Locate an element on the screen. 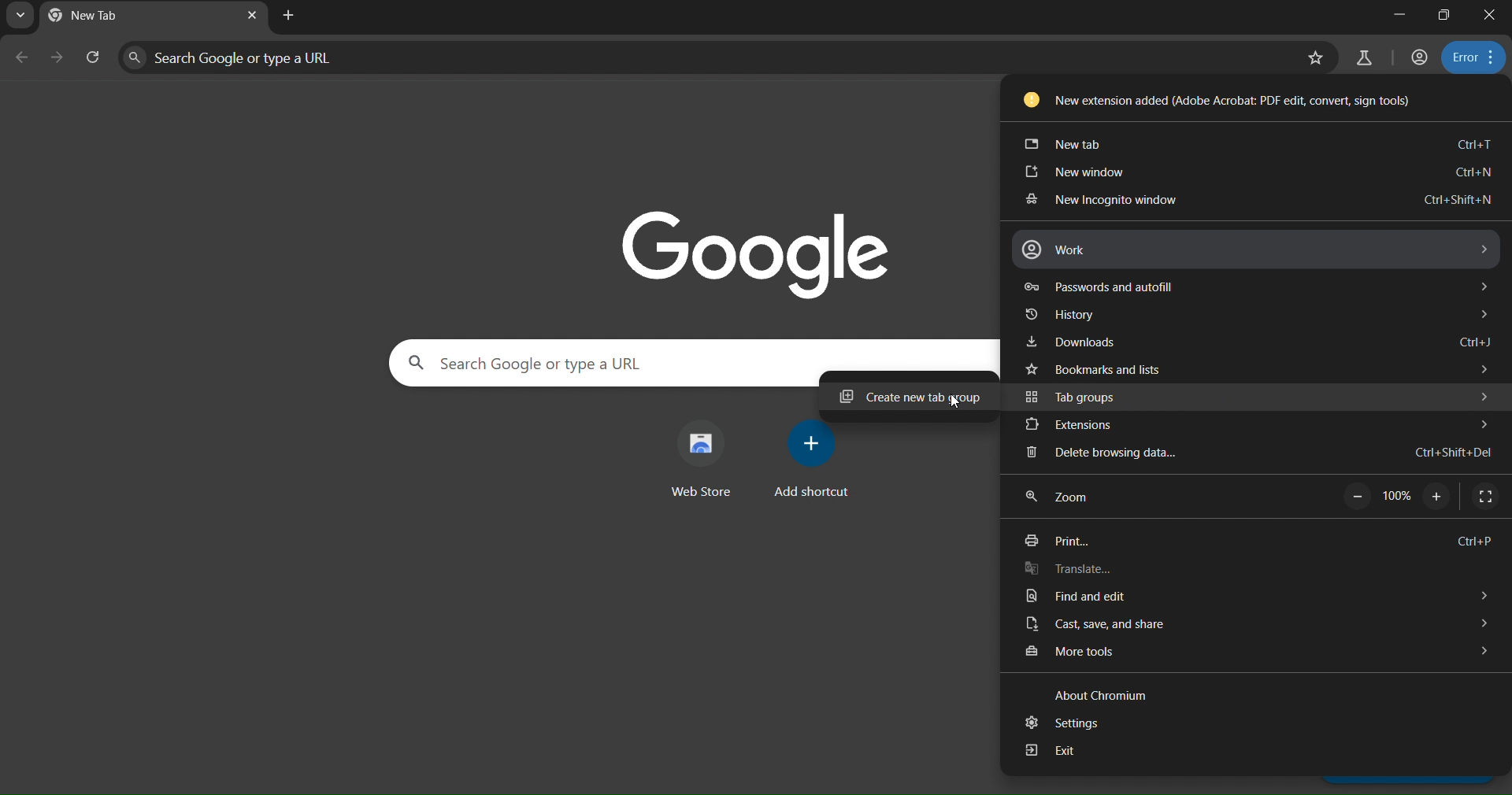  bookmarks and lists is located at coordinates (1251, 368).